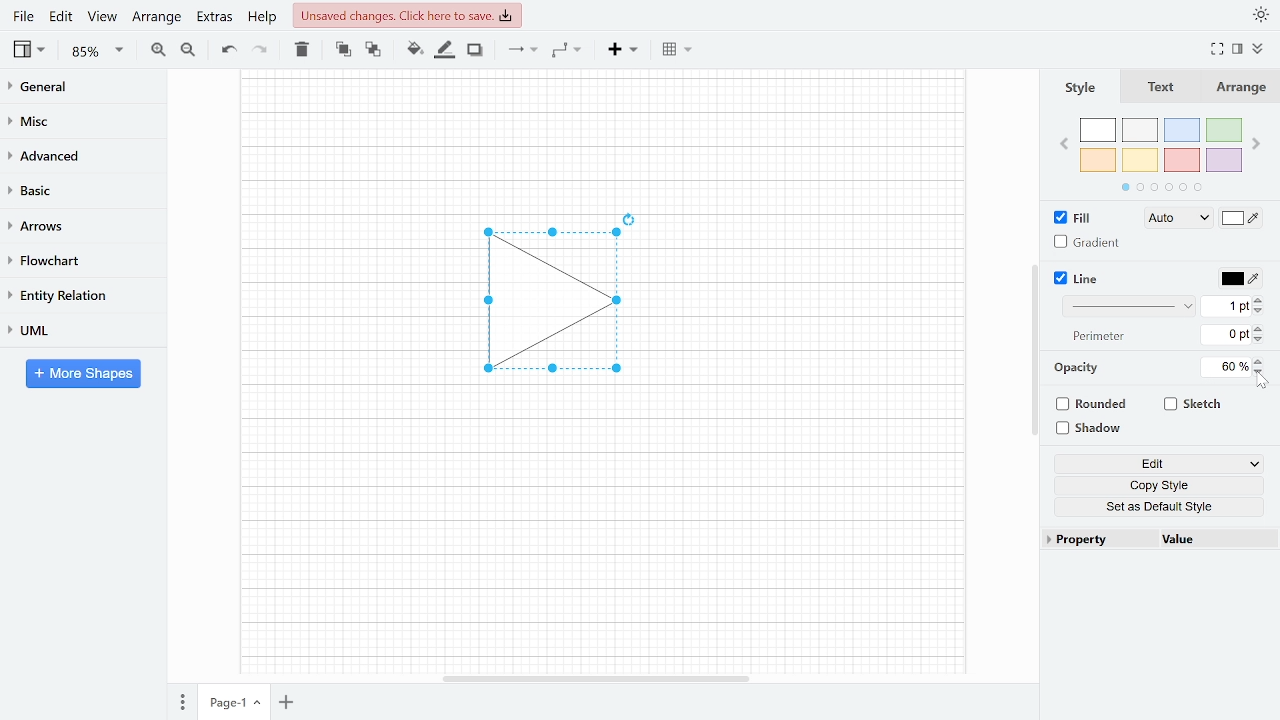  Describe the element at coordinates (371, 48) in the screenshot. I see `To back` at that location.